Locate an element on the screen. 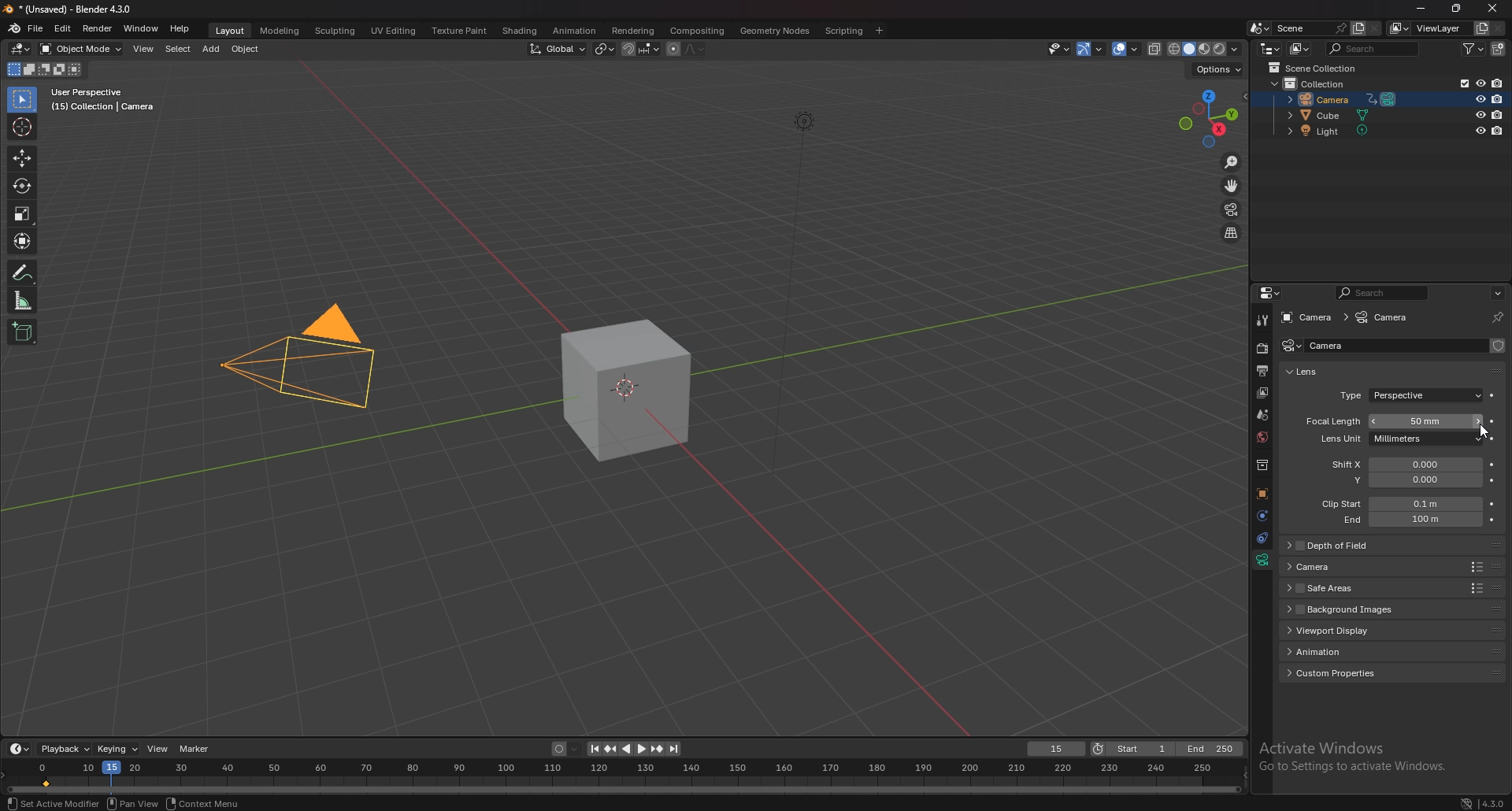 Image resolution: width=1512 pixels, height=811 pixels. preset viewpoint is located at coordinates (1208, 118).